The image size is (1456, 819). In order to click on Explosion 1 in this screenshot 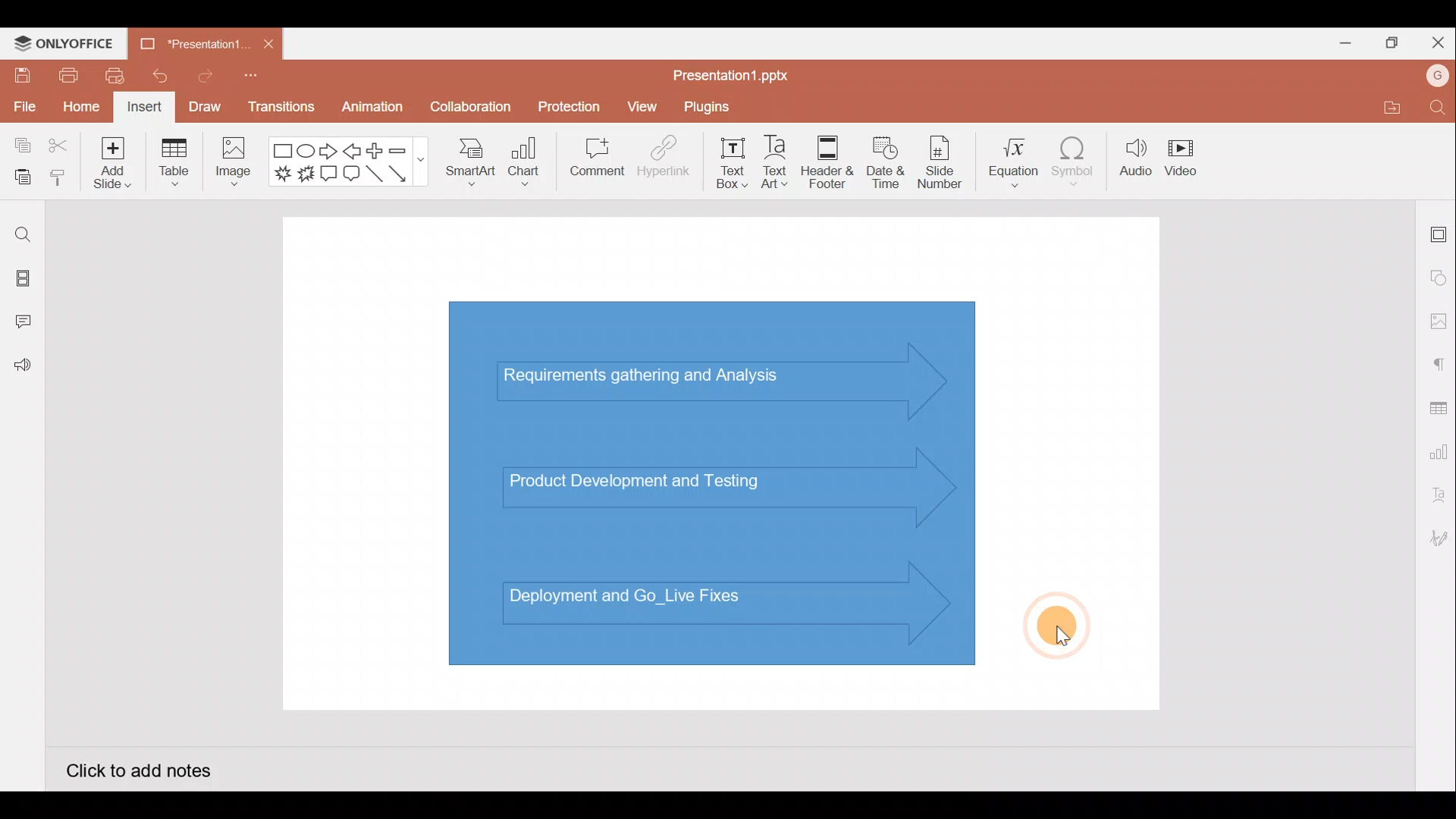, I will do `click(283, 173)`.